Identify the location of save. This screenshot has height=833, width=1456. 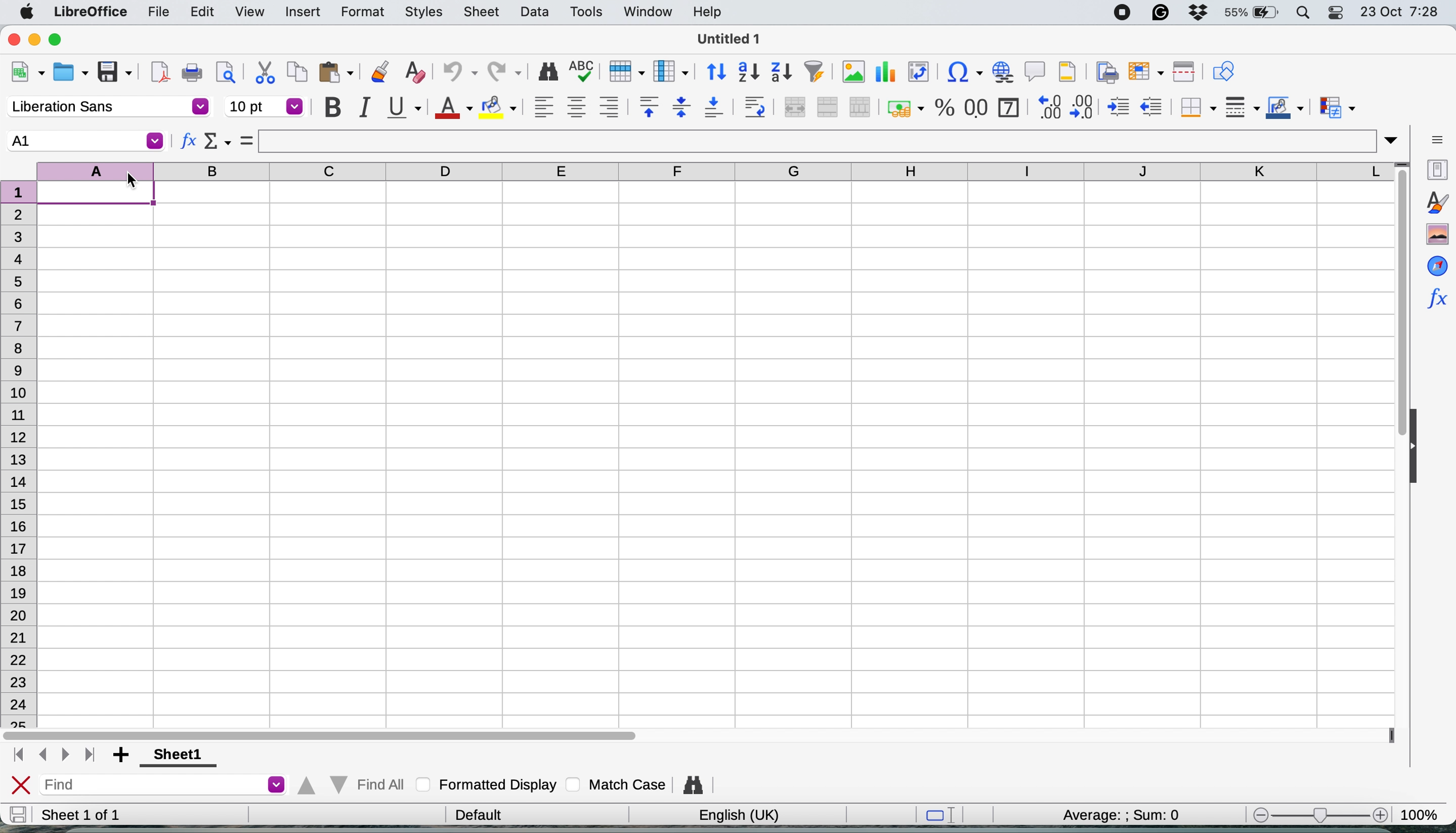
(18, 814).